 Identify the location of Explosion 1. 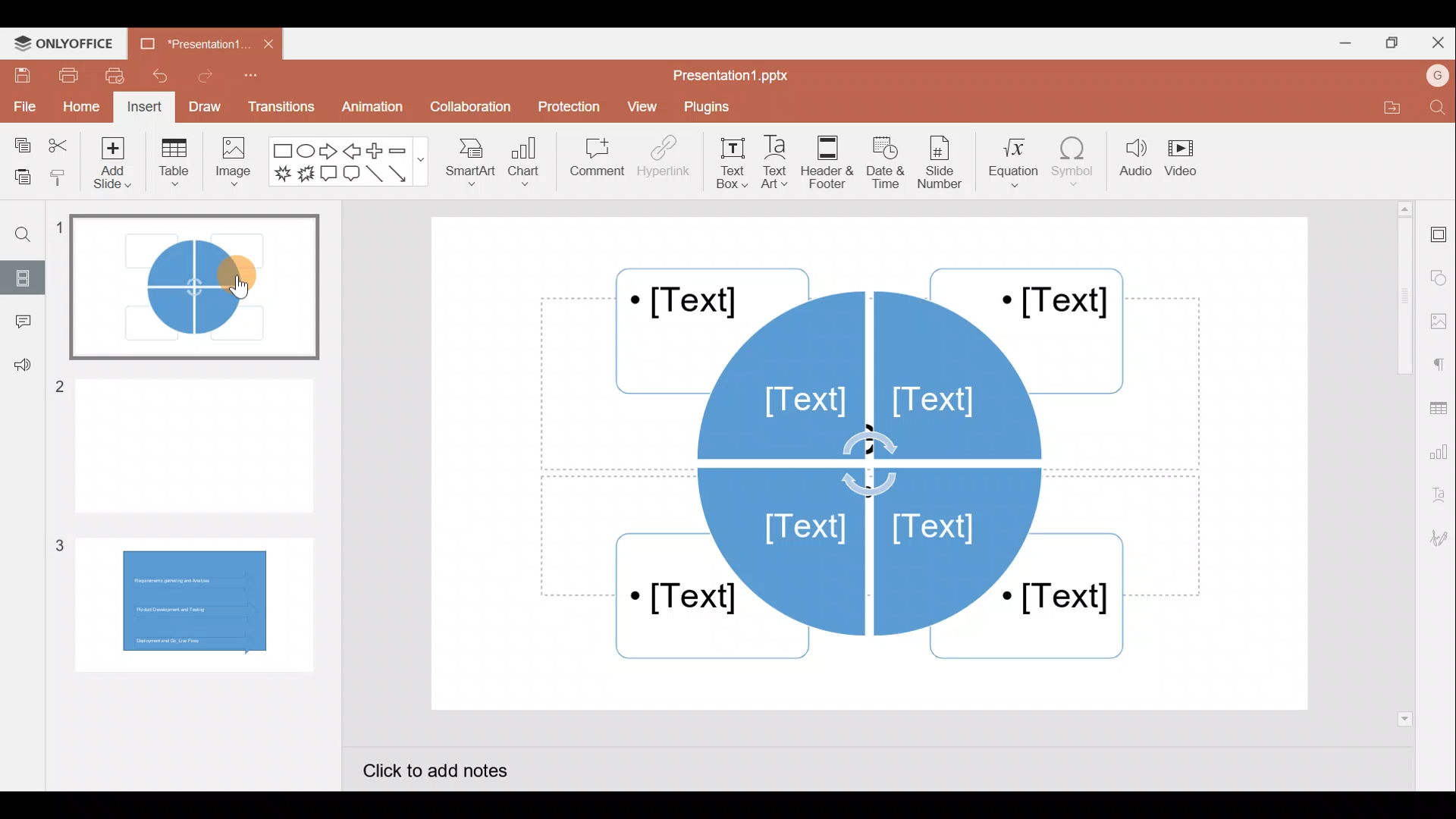
(281, 172).